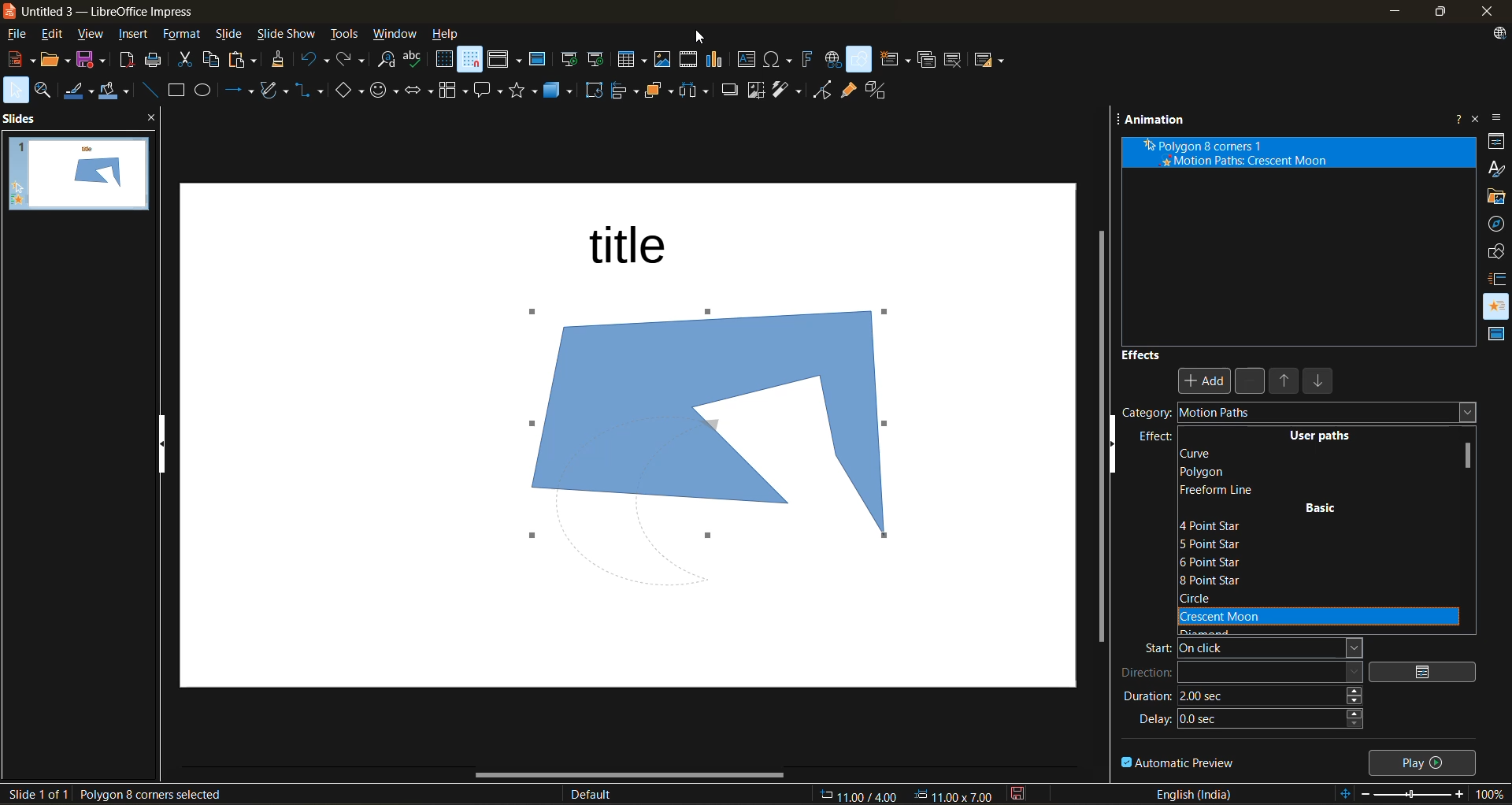 The width and height of the screenshot is (1512, 805). I want to click on show draw functions, so click(860, 60).